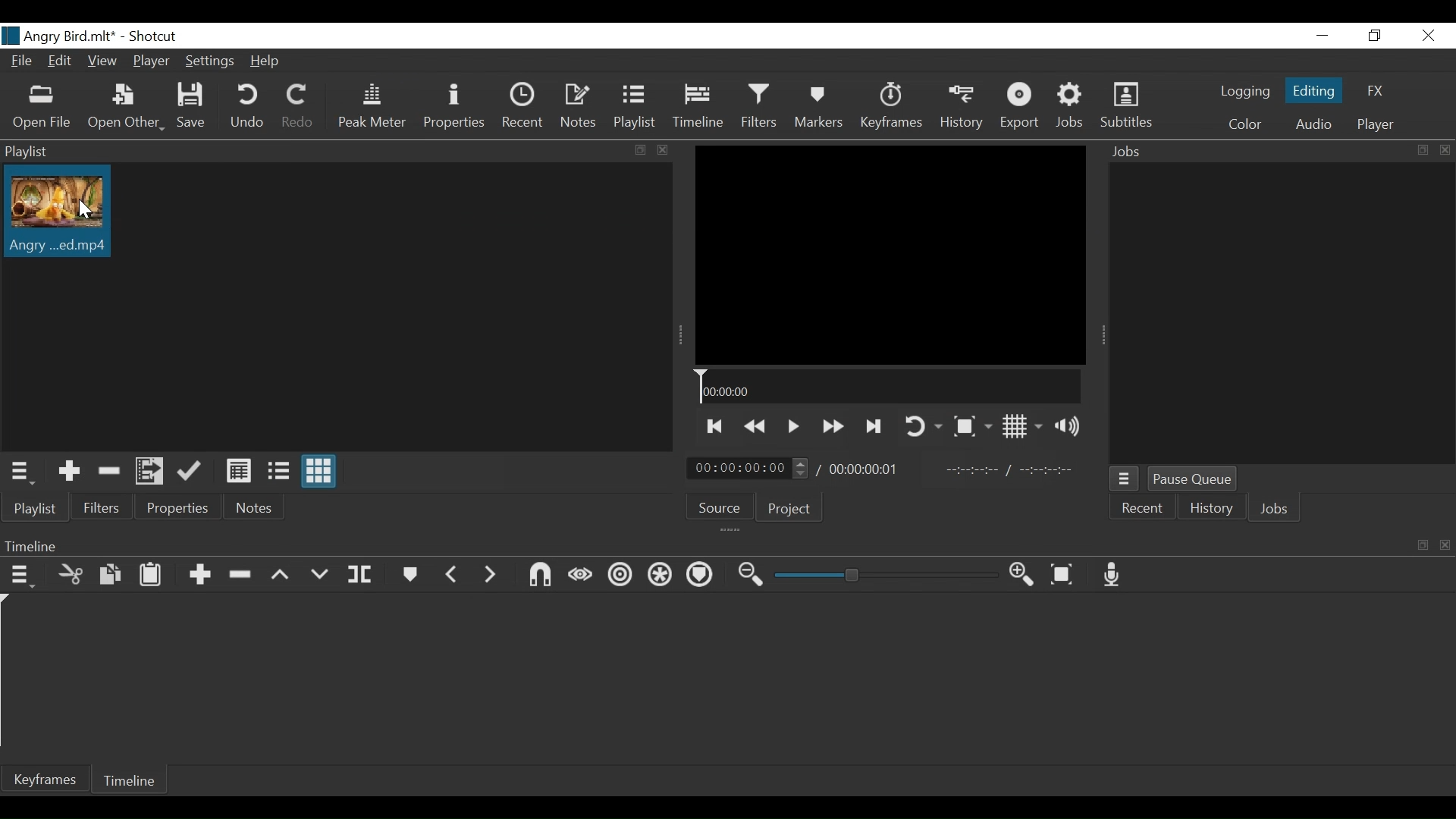 Image resolution: width=1456 pixels, height=819 pixels. What do you see at coordinates (754, 427) in the screenshot?
I see `Play quickly backward` at bounding box center [754, 427].